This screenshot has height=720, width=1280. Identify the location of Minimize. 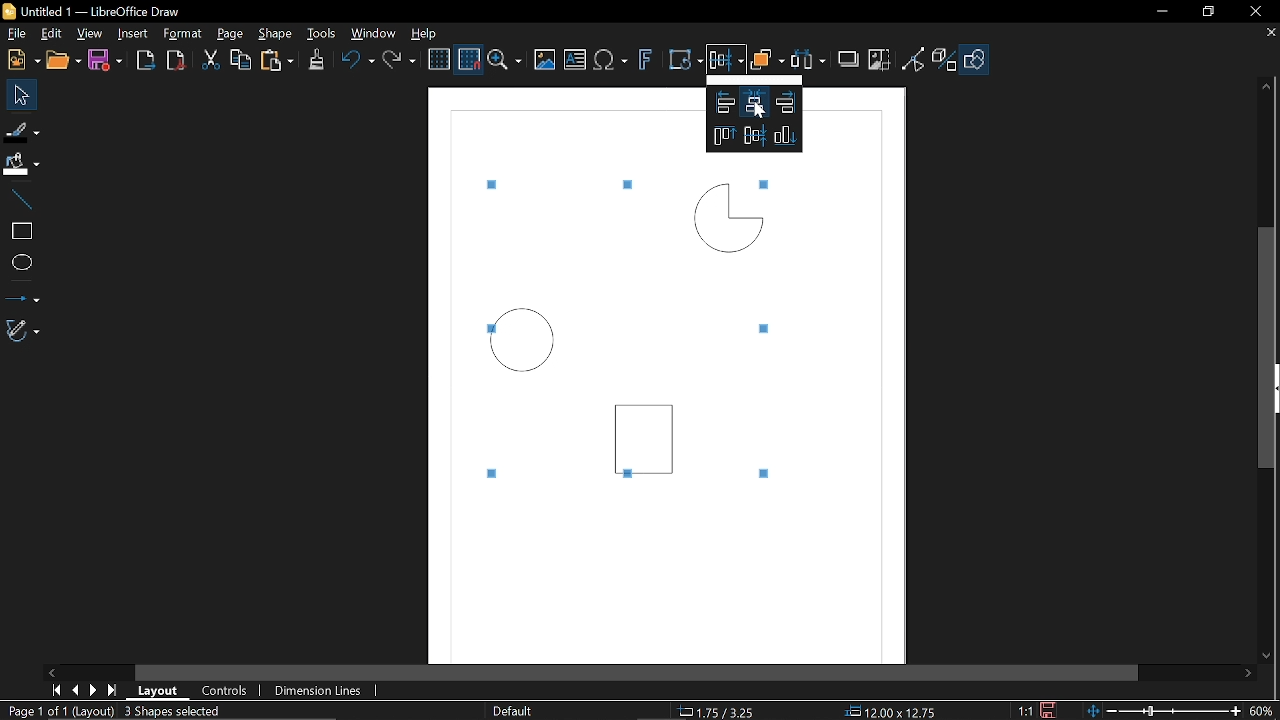
(1167, 12).